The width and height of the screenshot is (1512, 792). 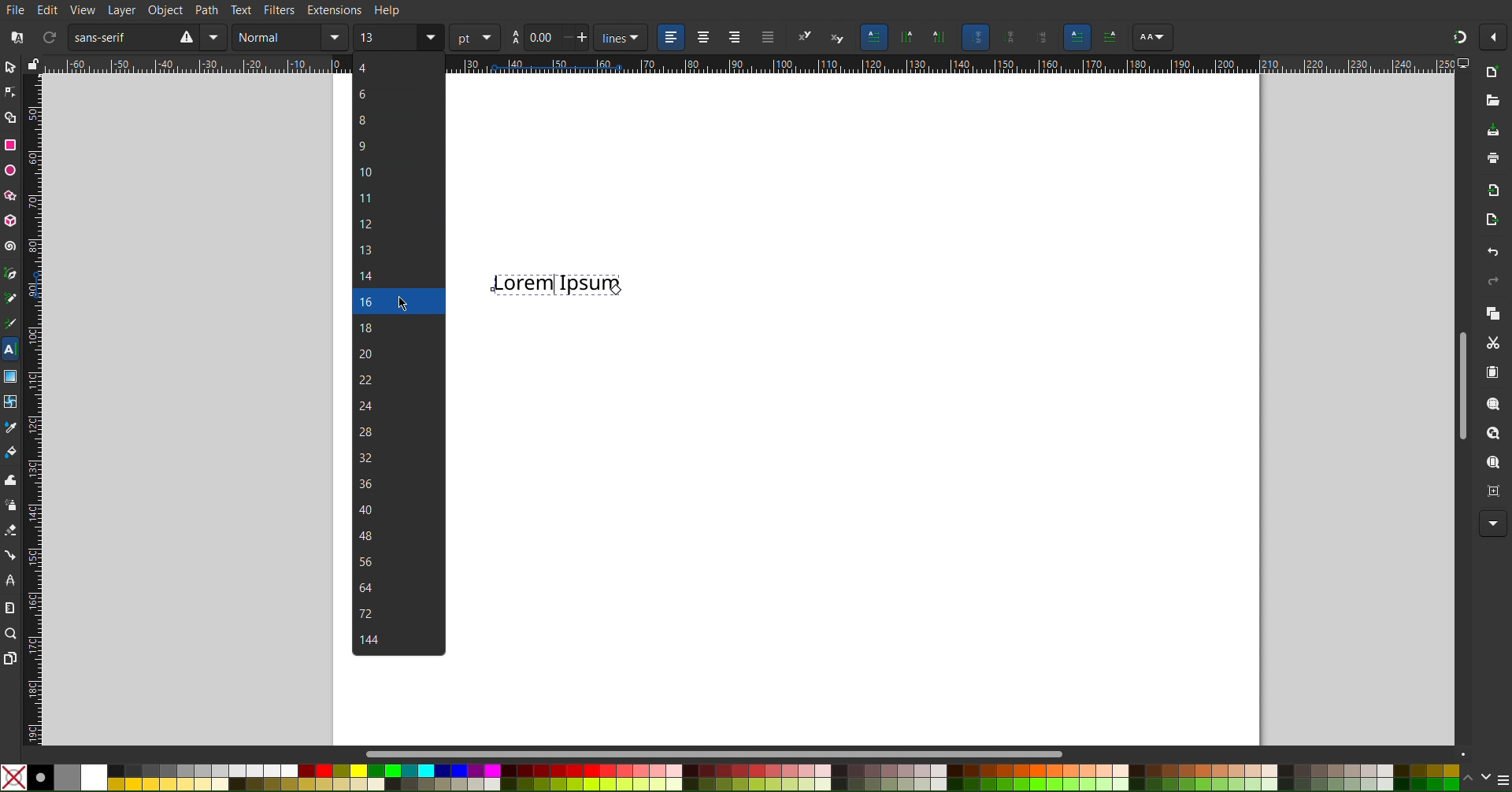 I want to click on aa, so click(x=513, y=38).